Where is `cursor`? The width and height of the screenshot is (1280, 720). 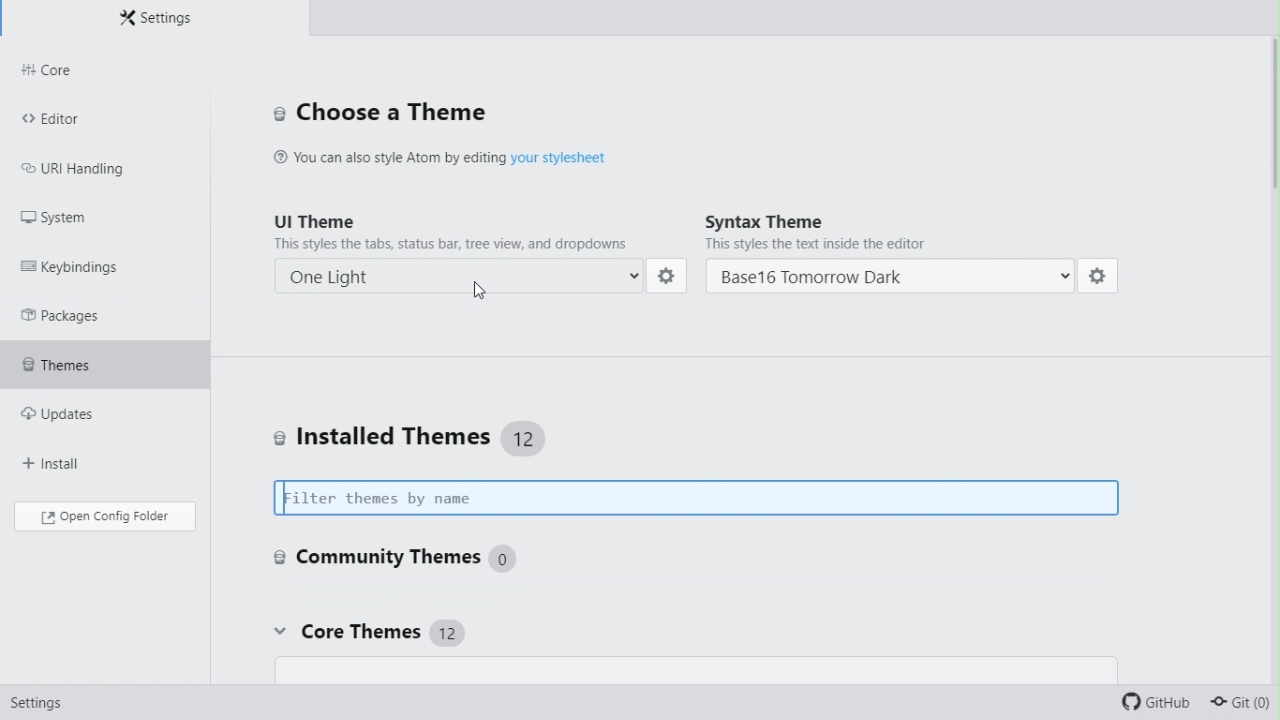
cursor is located at coordinates (483, 295).